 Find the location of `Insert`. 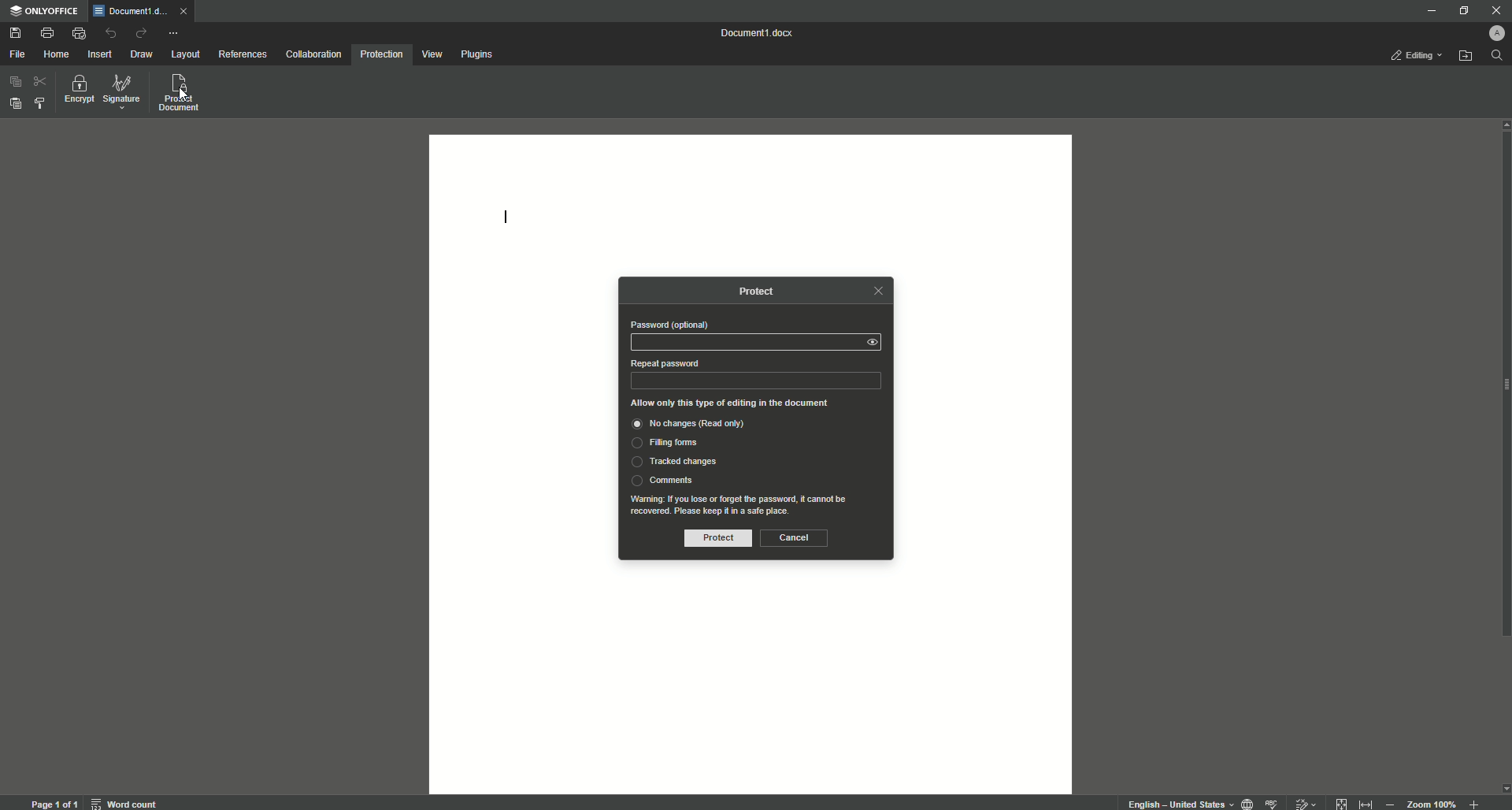

Insert is located at coordinates (101, 54).